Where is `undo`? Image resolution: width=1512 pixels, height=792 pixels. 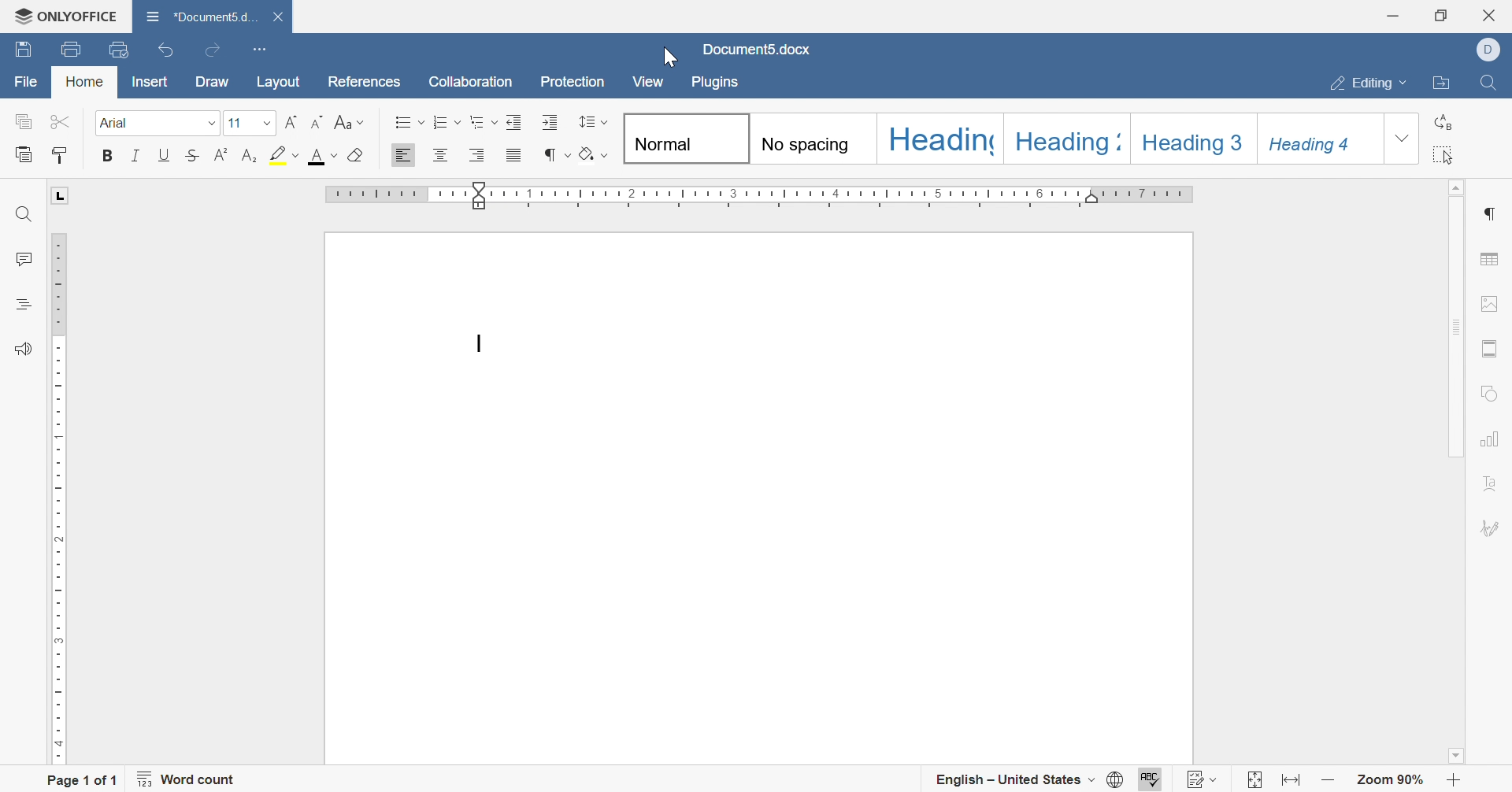 undo is located at coordinates (165, 49).